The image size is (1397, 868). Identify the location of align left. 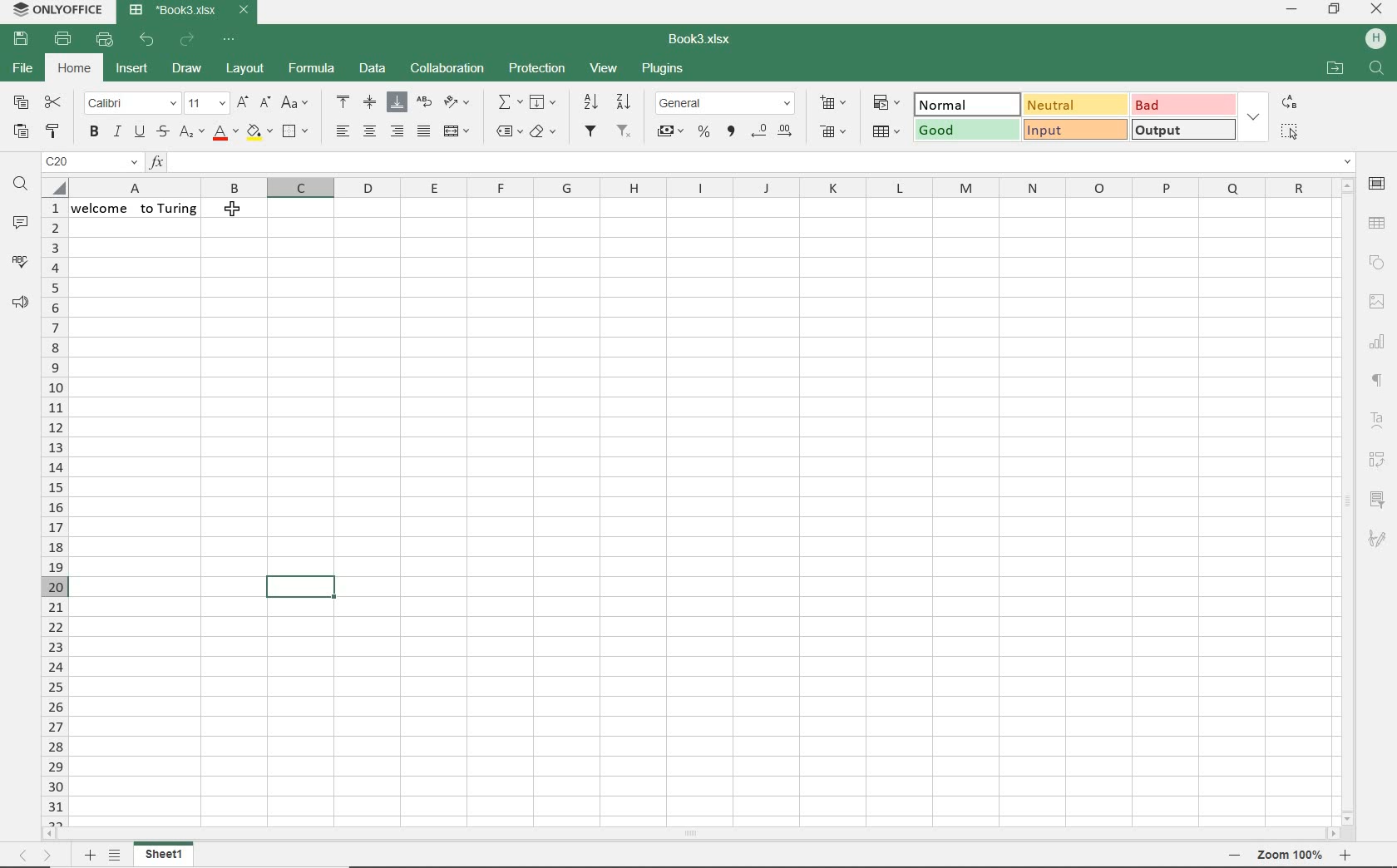
(343, 131).